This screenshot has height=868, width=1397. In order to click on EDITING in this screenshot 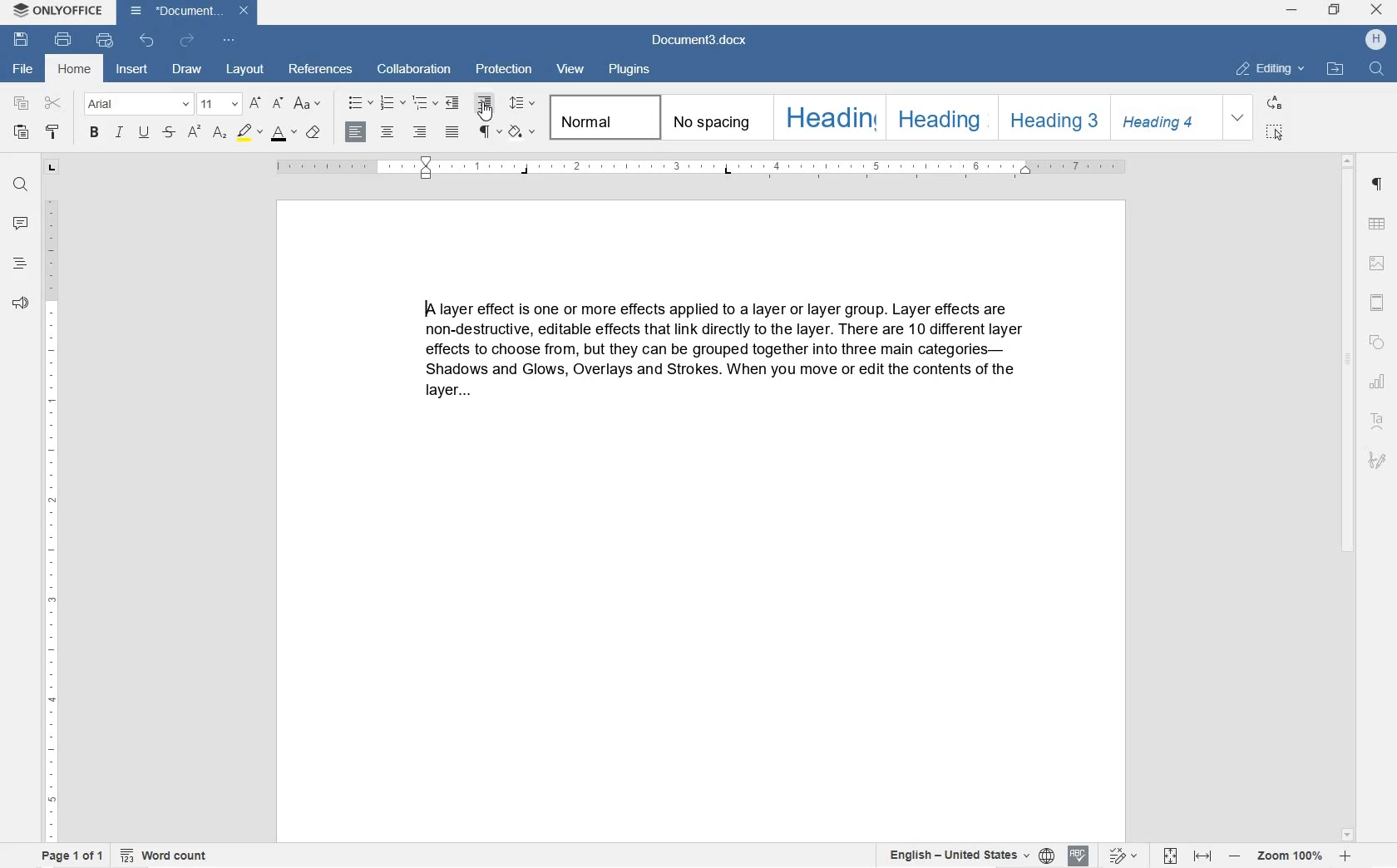, I will do `click(1273, 70)`.